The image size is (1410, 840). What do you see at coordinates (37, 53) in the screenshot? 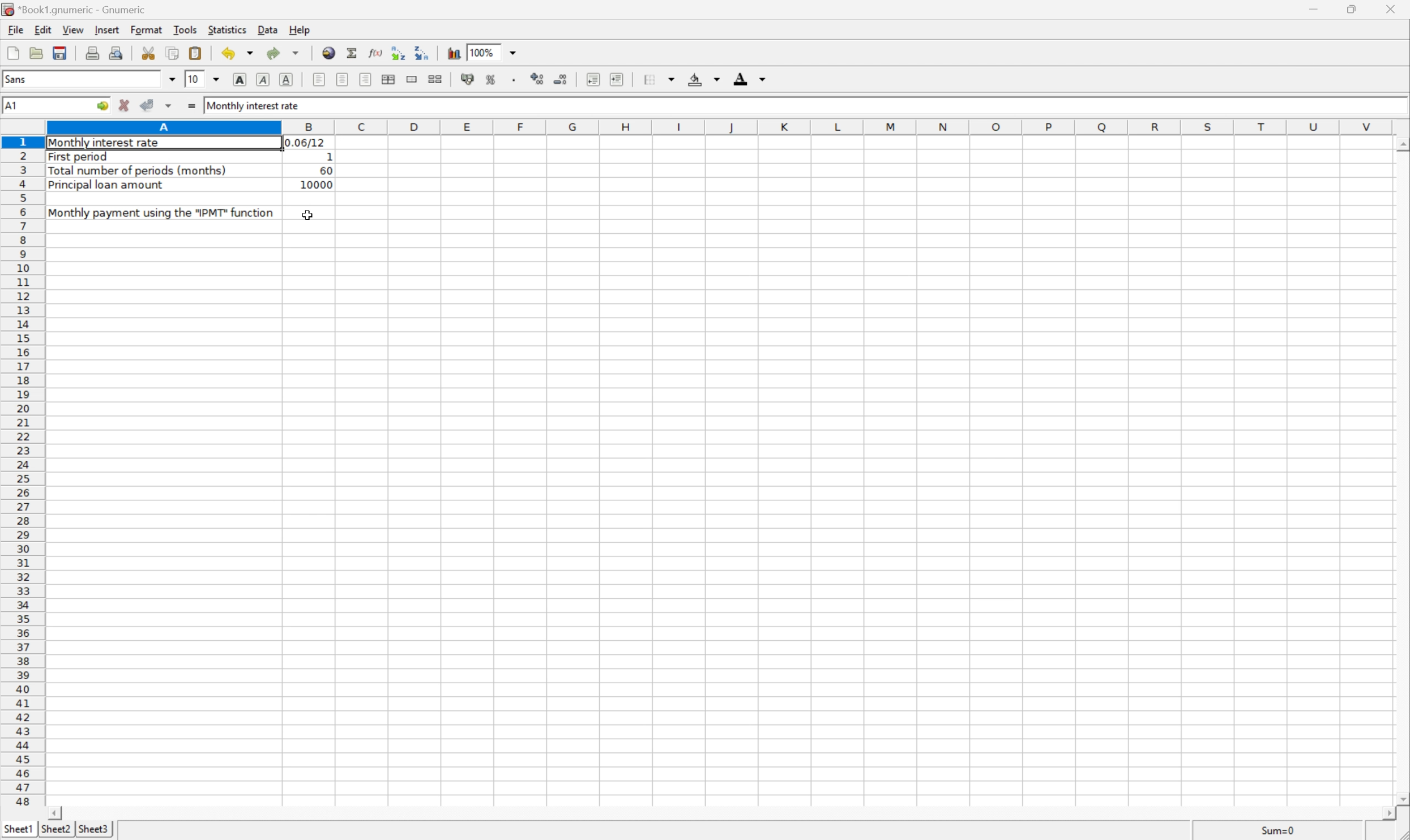
I see `Open a file` at bounding box center [37, 53].